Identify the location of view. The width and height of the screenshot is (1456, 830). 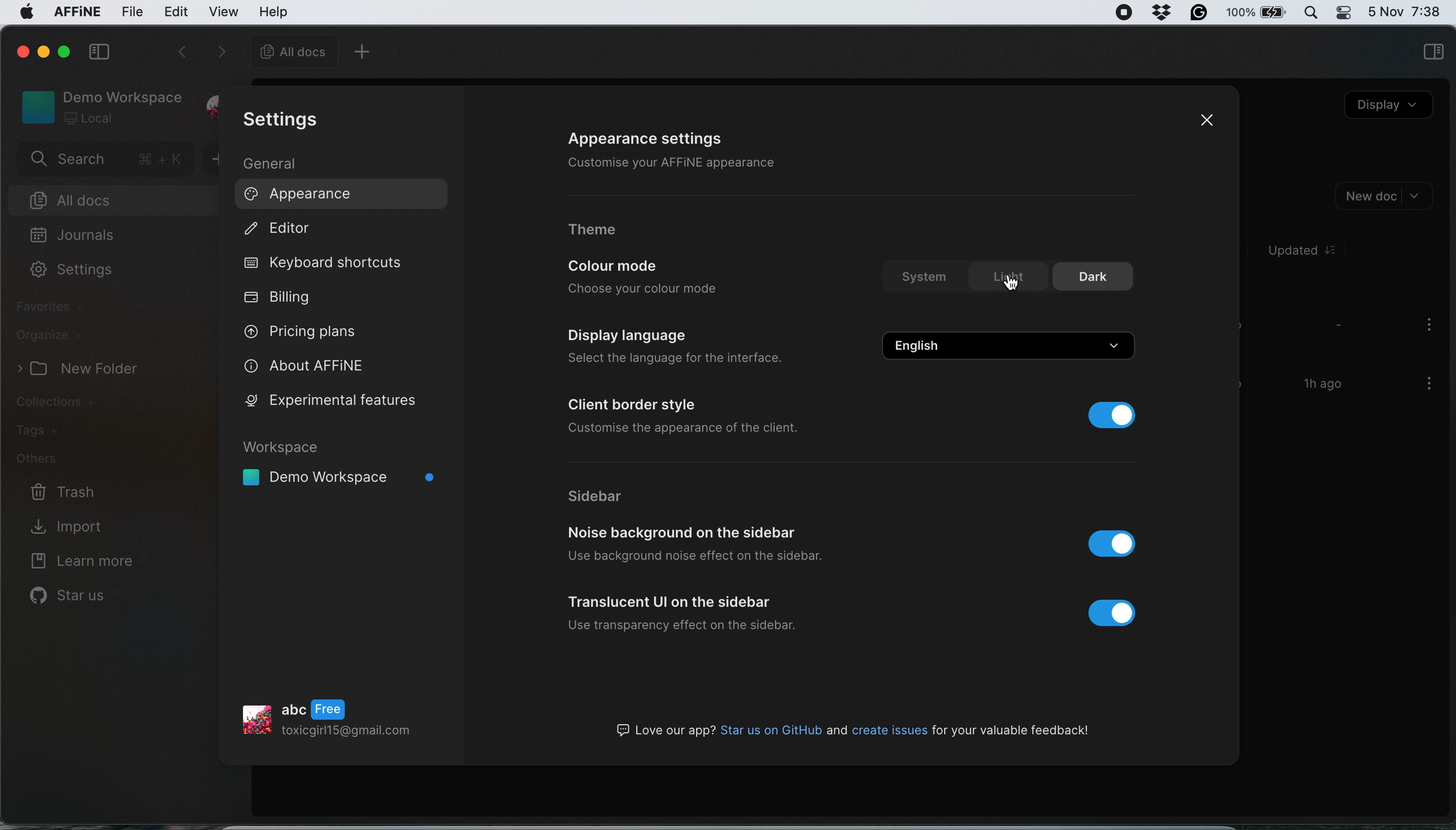
(225, 12).